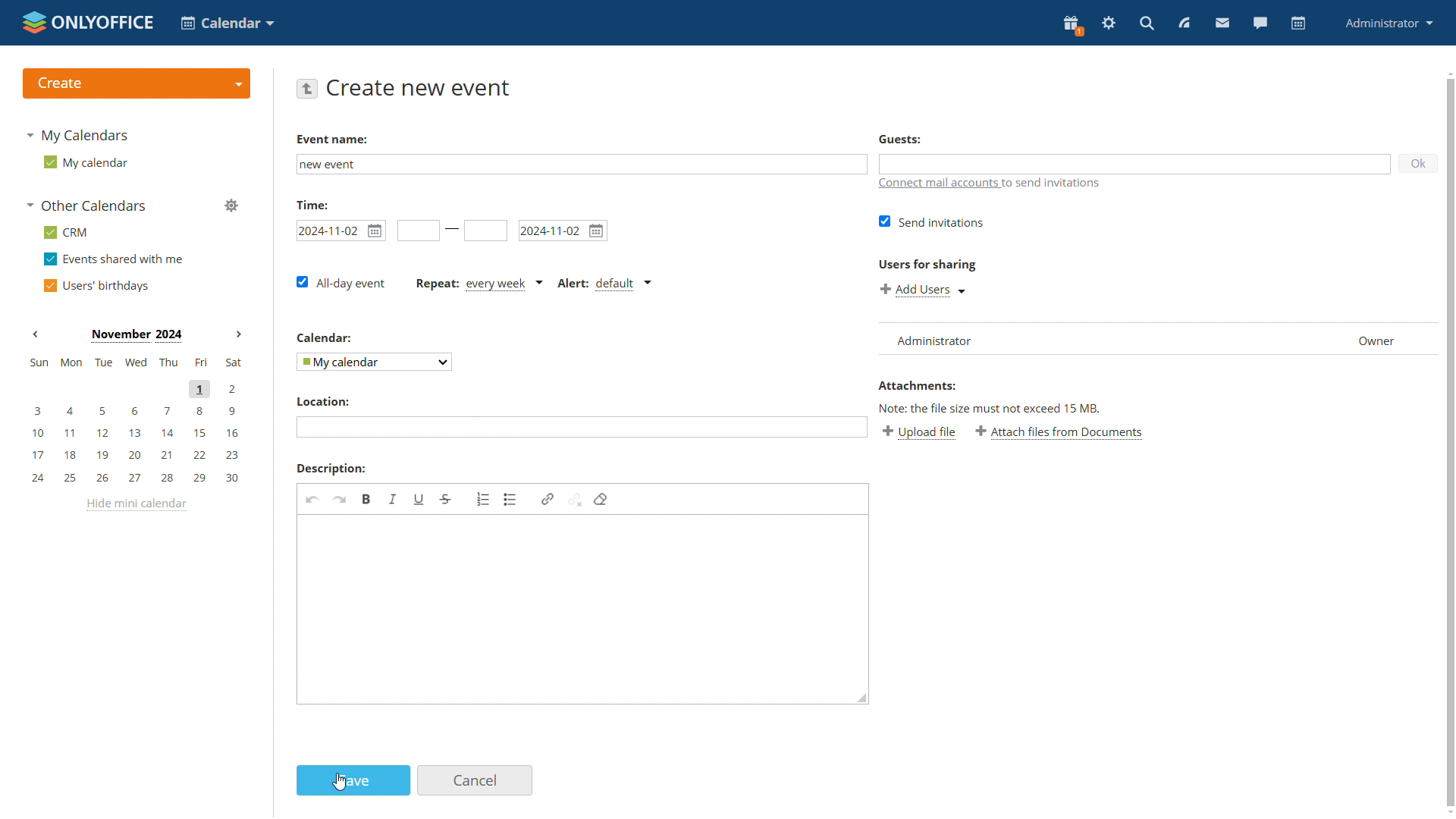 Image resolution: width=1456 pixels, height=819 pixels. Describe the element at coordinates (135, 83) in the screenshot. I see `create` at that location.